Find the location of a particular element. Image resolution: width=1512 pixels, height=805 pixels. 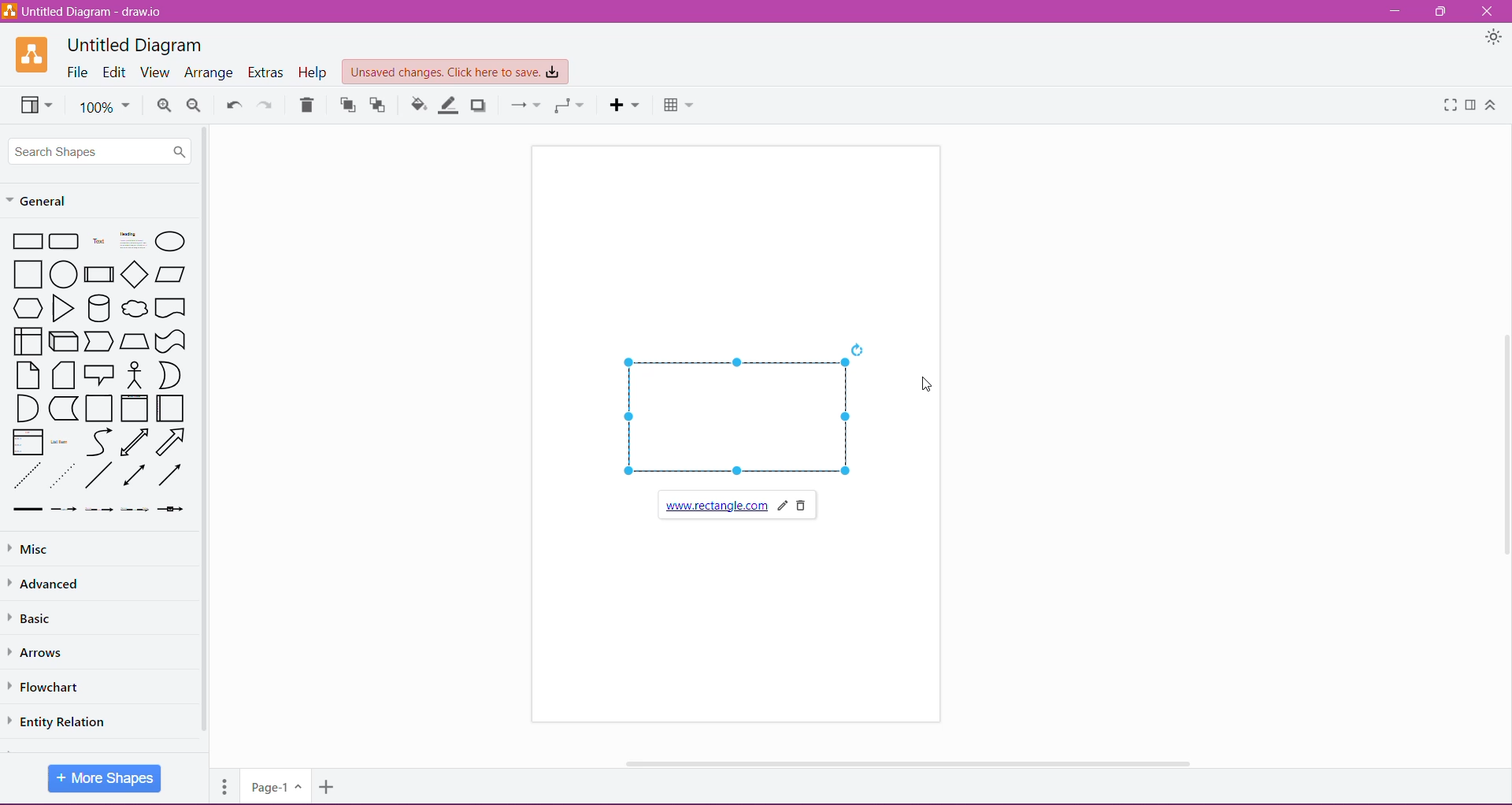

Advanced is located at coordinates (48, 584).